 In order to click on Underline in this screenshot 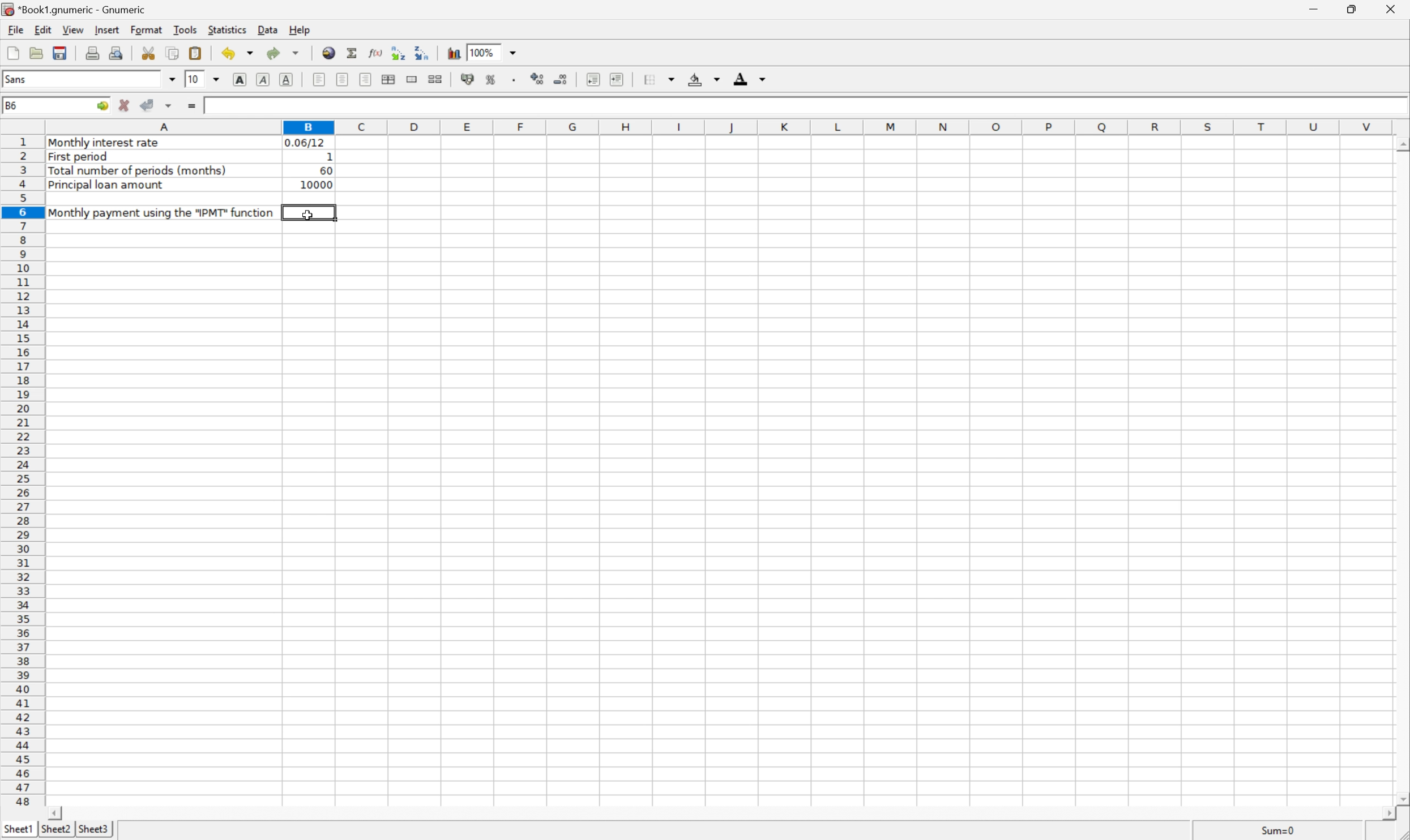, I will do `click(287, 78)`.